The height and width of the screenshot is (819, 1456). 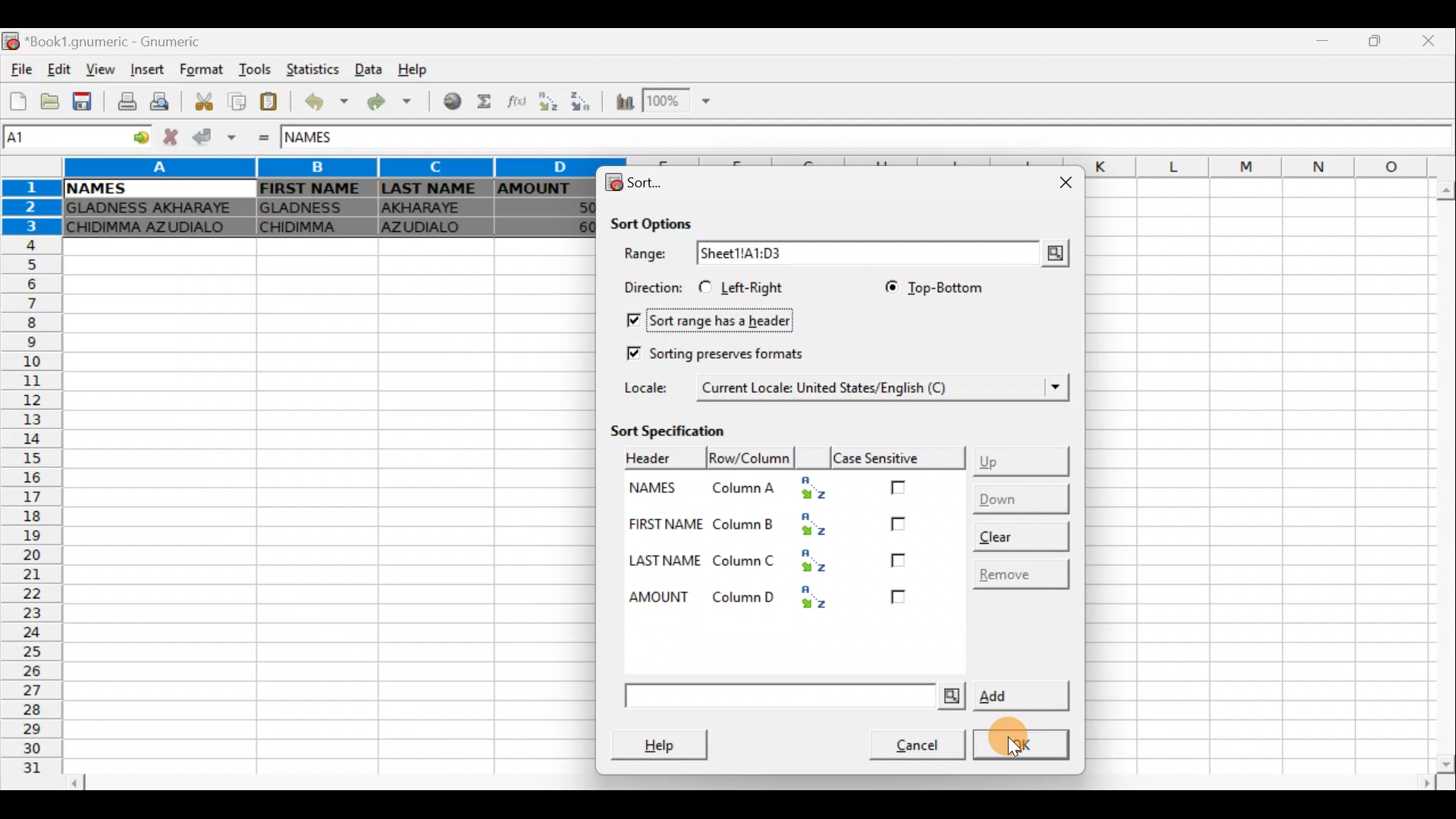 What do you see at coordinates (19, 101) in the screenshot?
I see `Create a new workbook` at bounding box center [19, 101].